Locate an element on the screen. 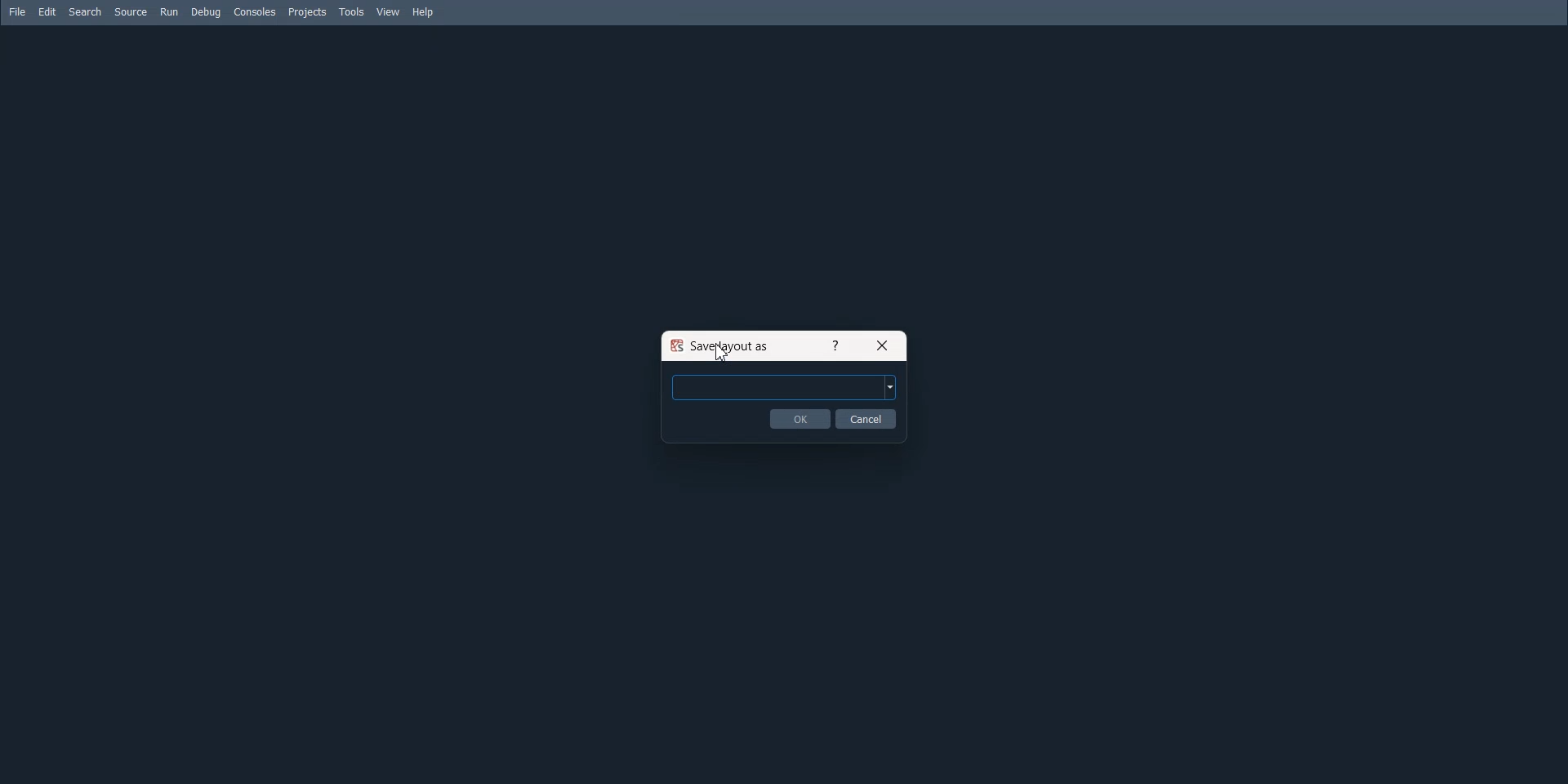  View is located at coordinates (389, 11).